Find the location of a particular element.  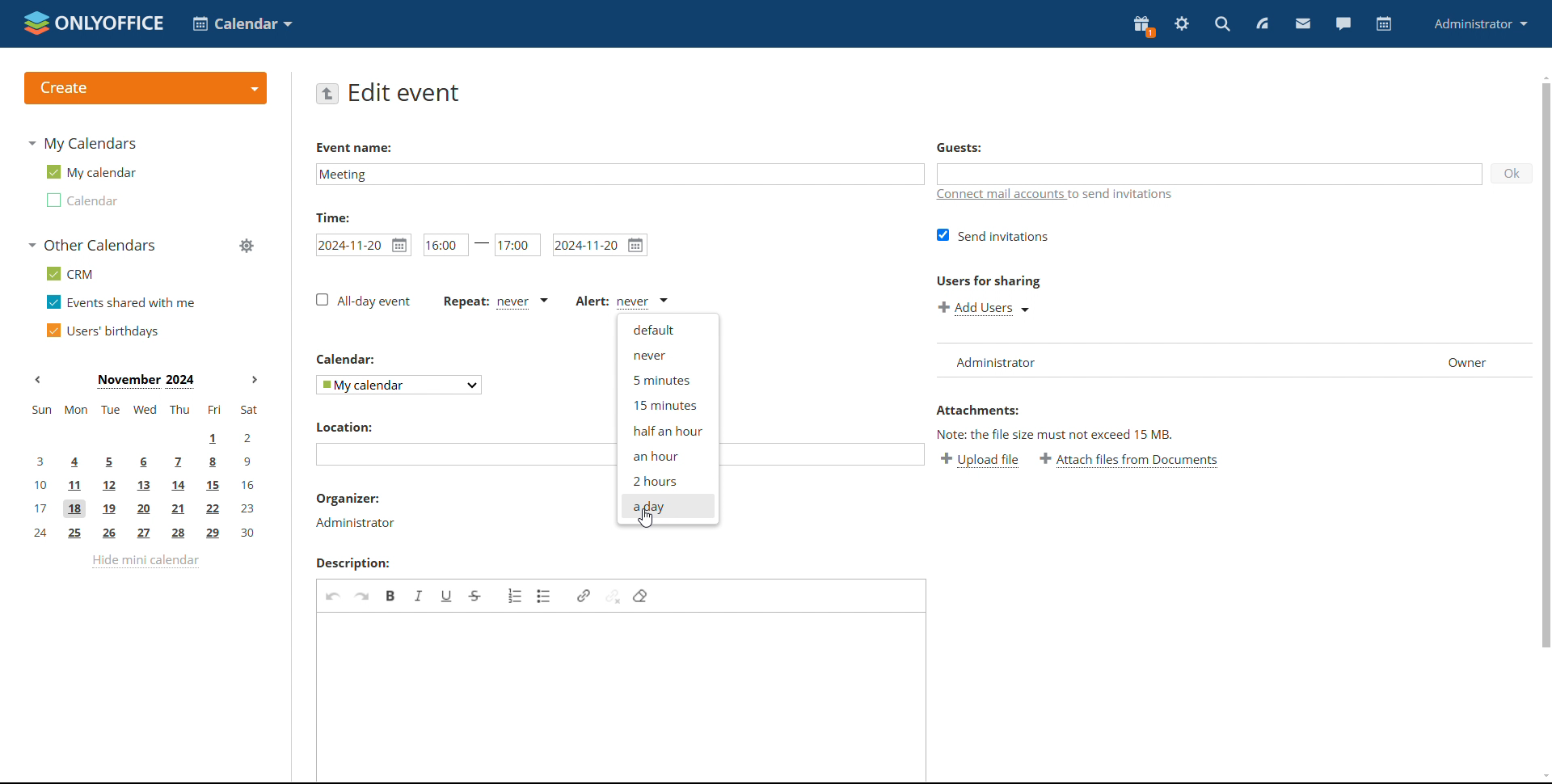

end time is located at coordinates (517, 244).